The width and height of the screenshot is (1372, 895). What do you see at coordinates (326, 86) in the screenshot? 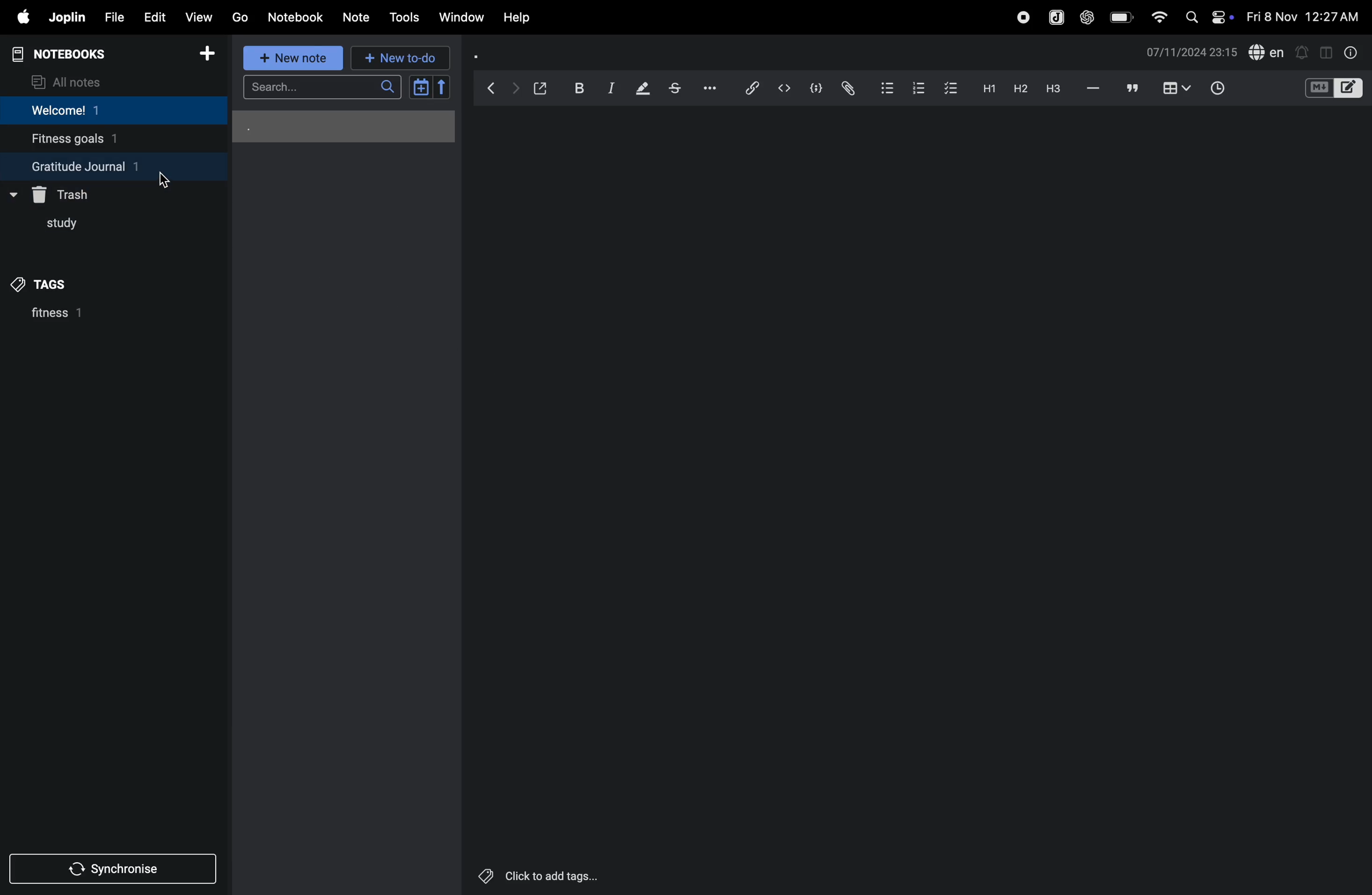
I see `search bar` at bounding box center [326, 86].